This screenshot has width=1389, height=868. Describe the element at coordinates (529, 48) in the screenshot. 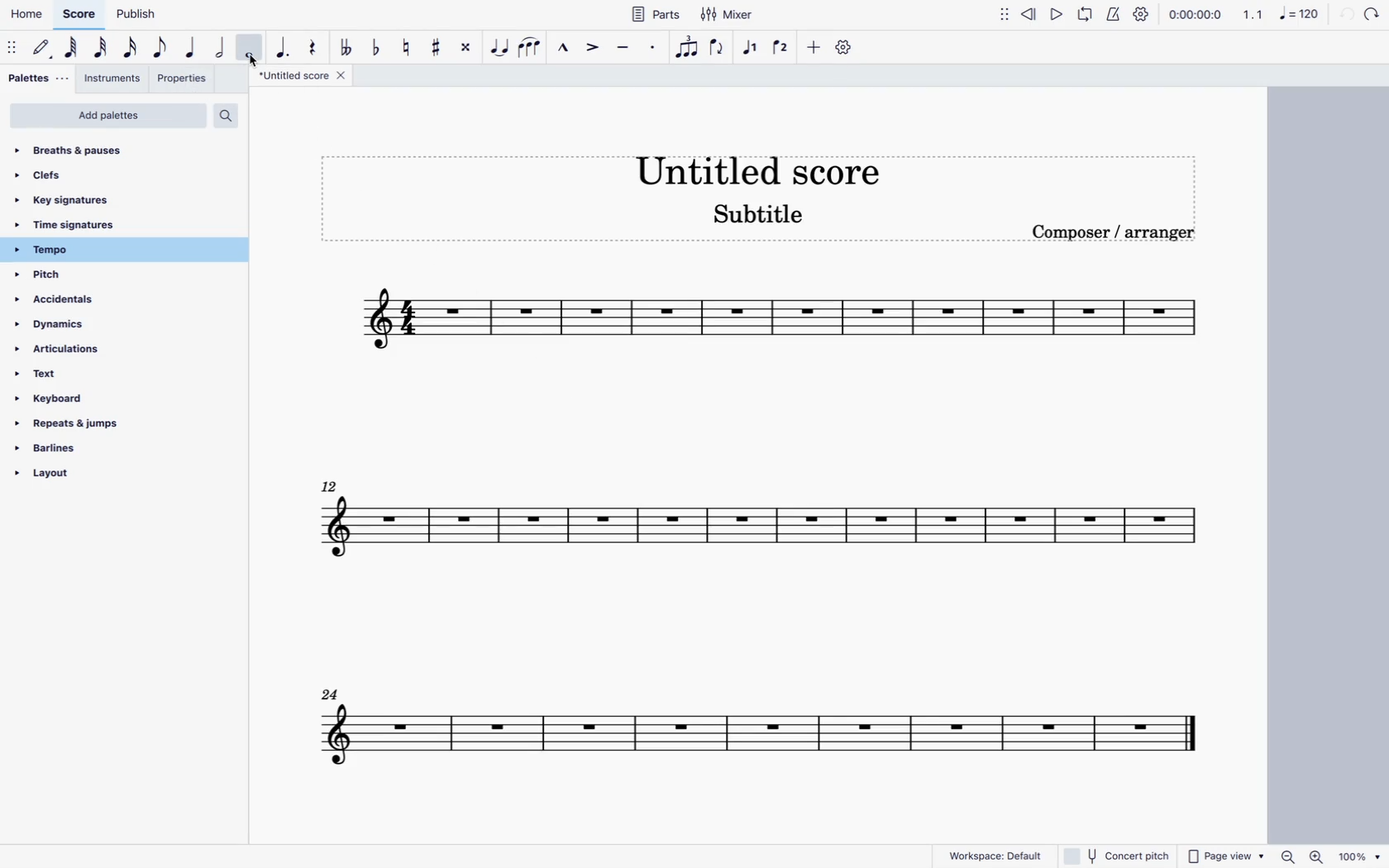

I see `slur` at that location.